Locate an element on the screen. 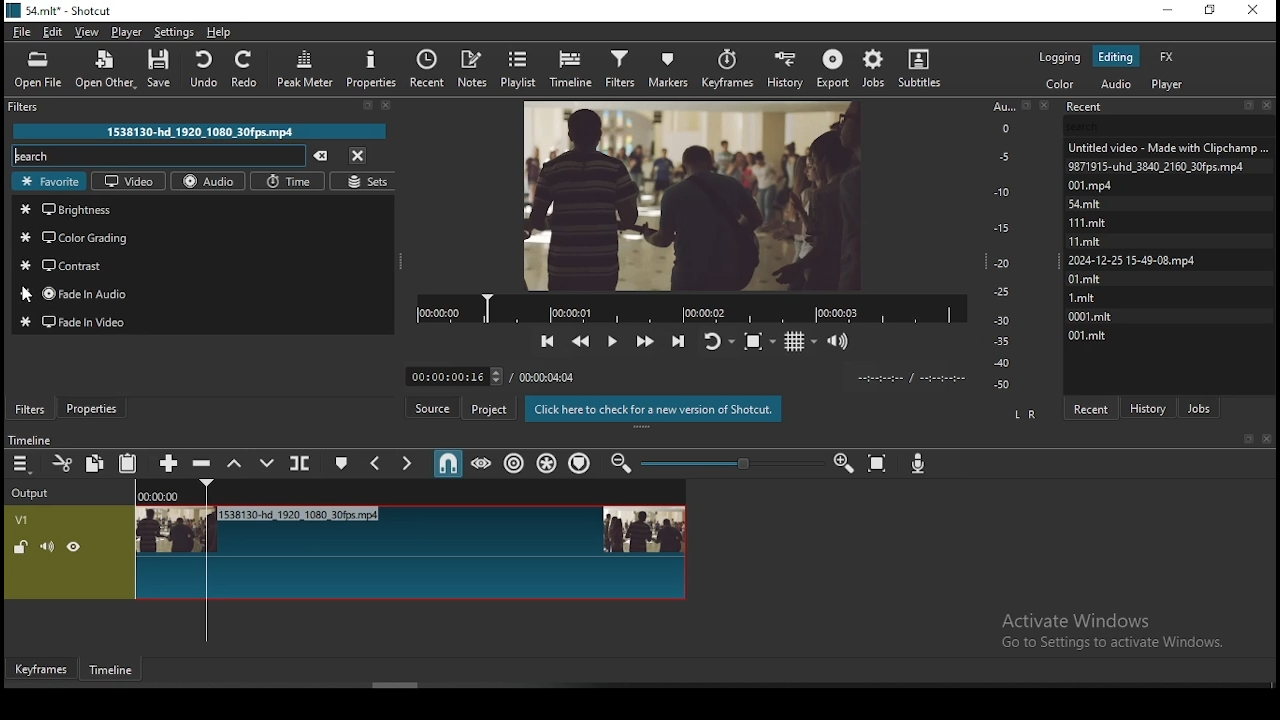  skip to the next point is located at coordinates (679, 341).